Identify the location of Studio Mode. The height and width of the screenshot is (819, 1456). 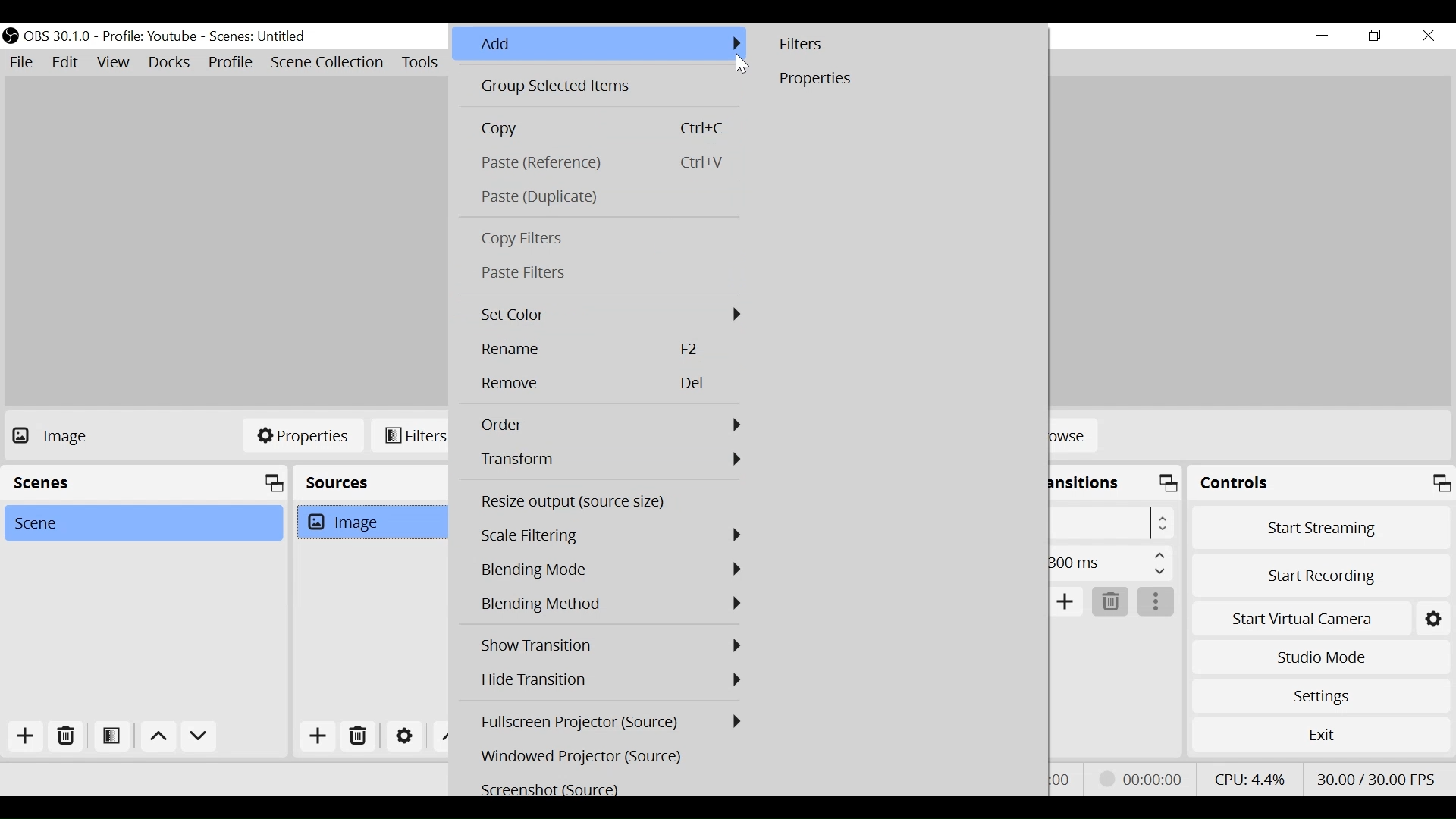
(1321, 657).